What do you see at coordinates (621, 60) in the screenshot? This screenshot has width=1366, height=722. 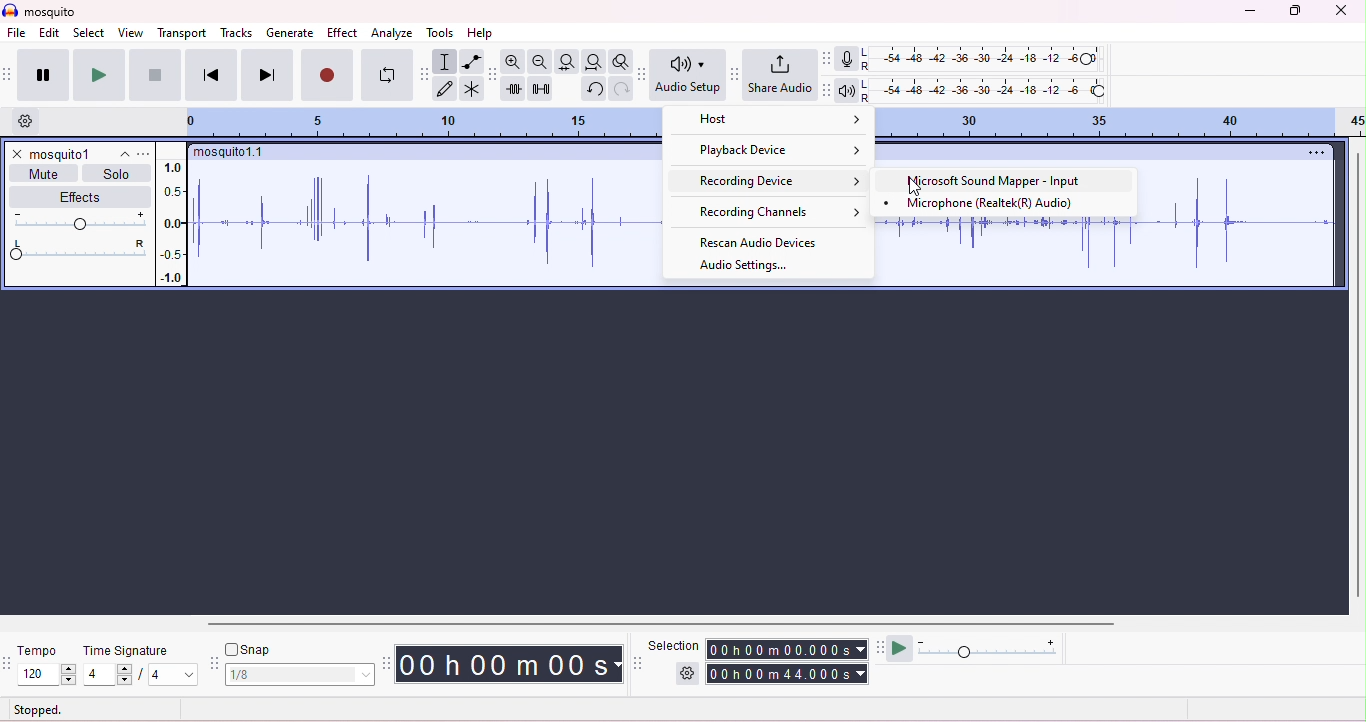 I see `toggle zoom` at bounding box center [621, 60].